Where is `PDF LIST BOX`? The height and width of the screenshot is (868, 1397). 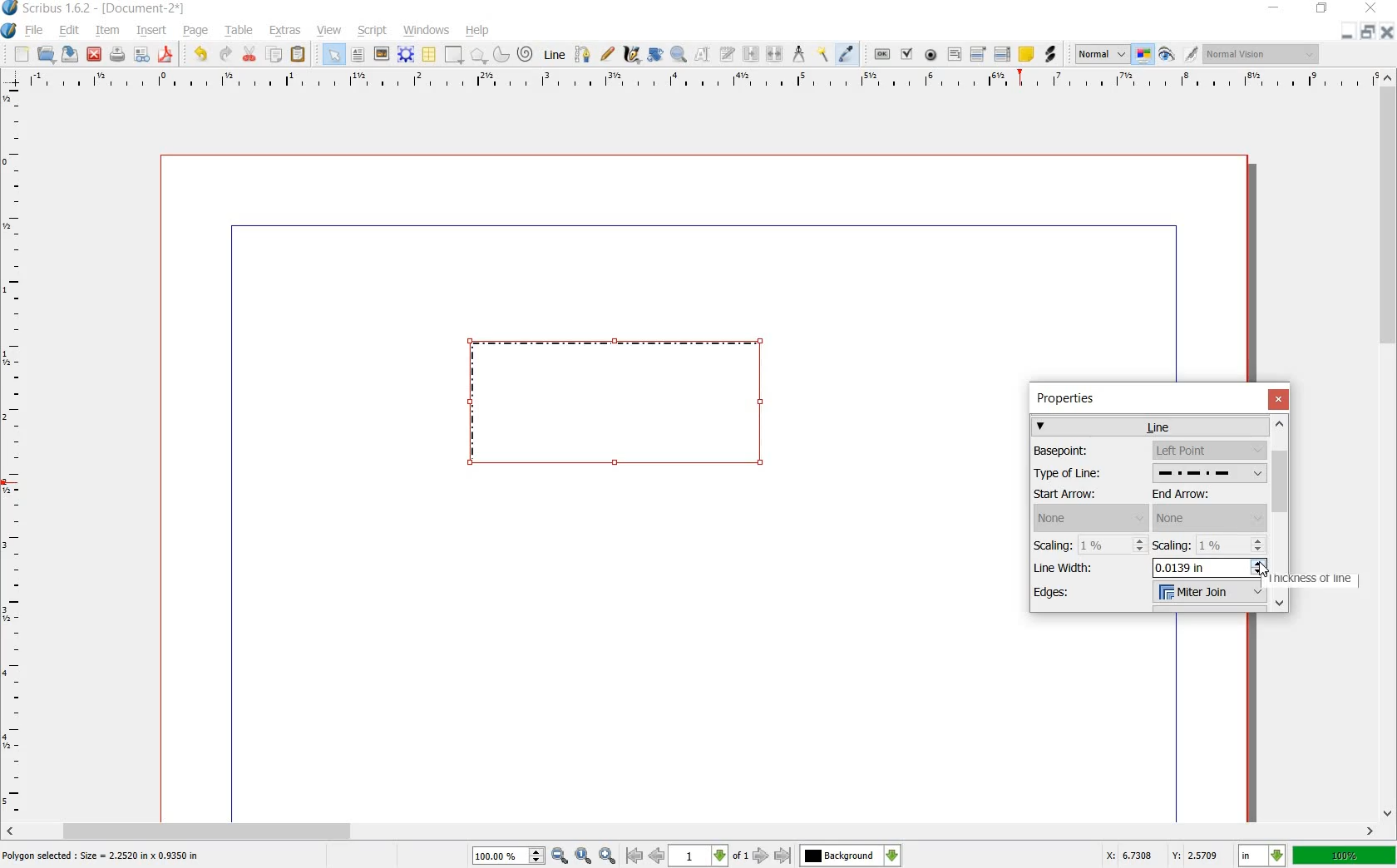
PDF LIST BOX is located at coordinates (1001, 54).